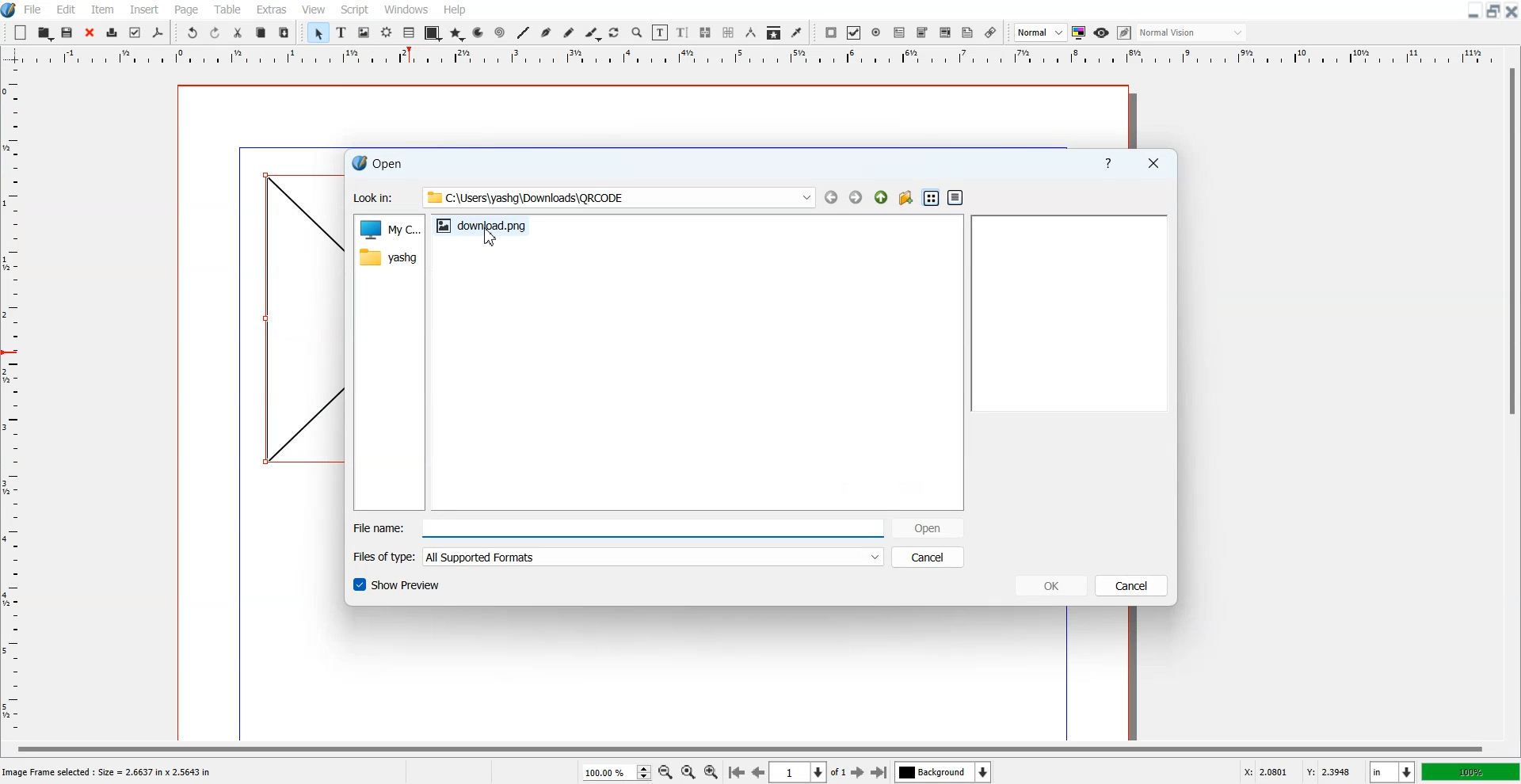  Describe the element at coordinates (69, 32) in the screenshot. I see `Open` at that location.